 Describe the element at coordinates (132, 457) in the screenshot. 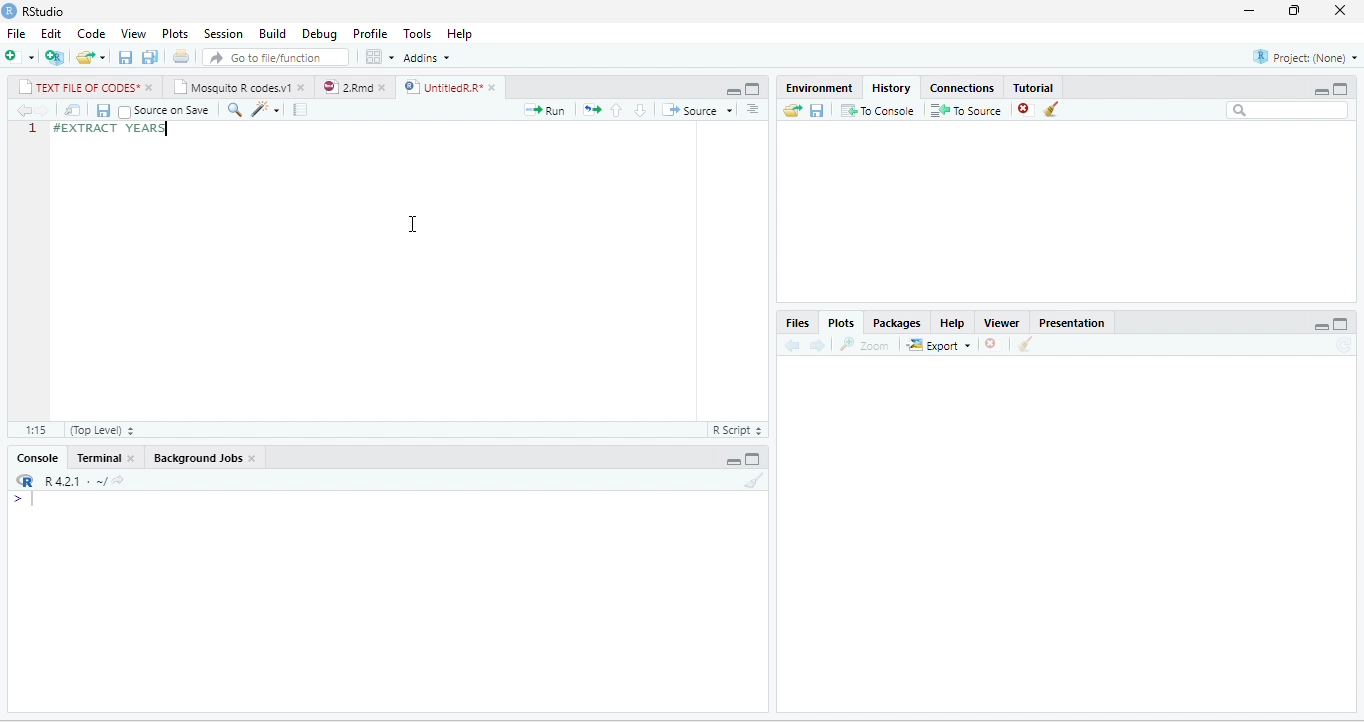

I see `close` at that location.